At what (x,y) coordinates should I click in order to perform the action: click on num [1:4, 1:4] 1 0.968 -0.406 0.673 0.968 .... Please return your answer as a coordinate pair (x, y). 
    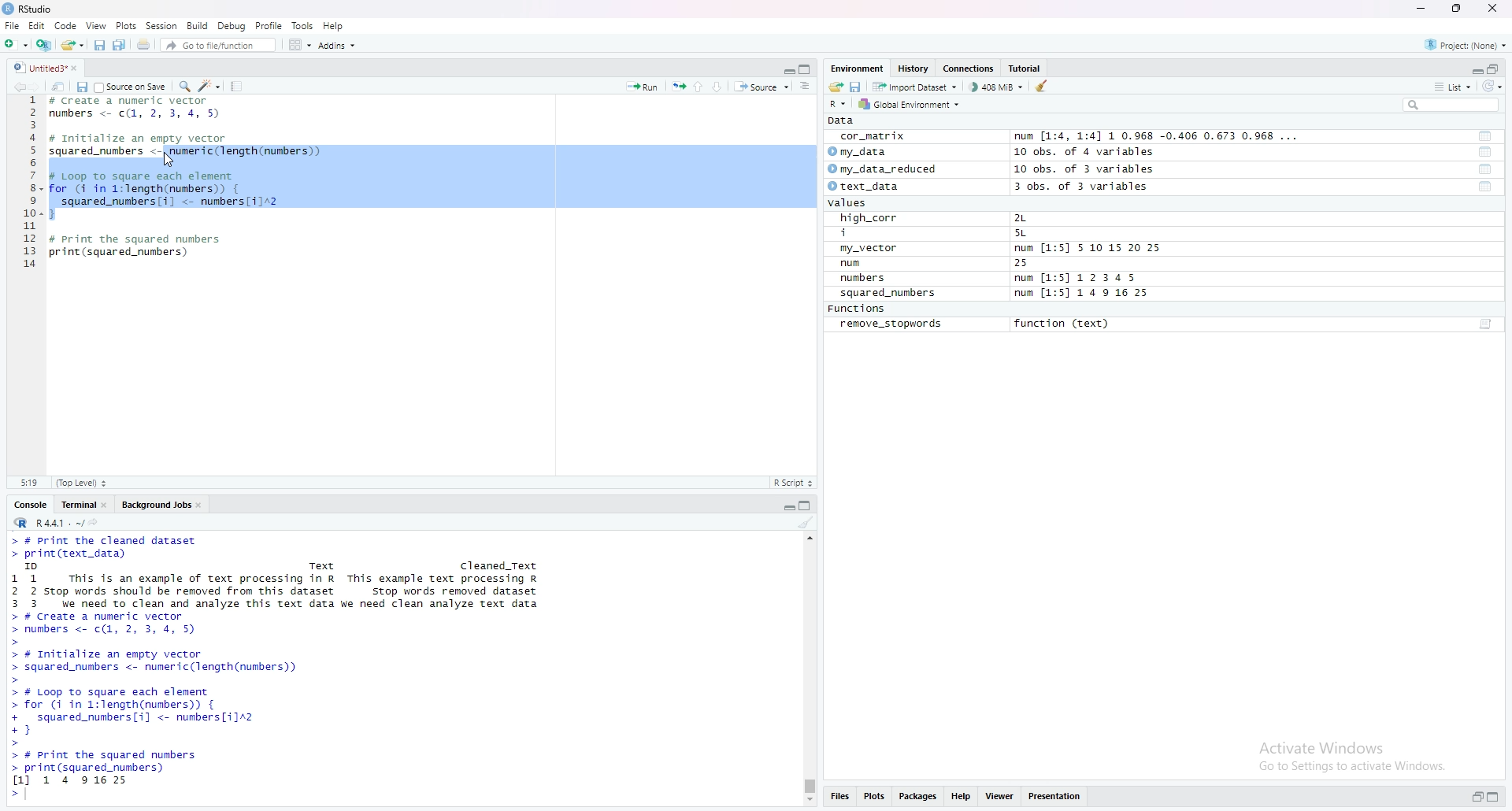
    Looking at the image, I should click on (1158, 137).